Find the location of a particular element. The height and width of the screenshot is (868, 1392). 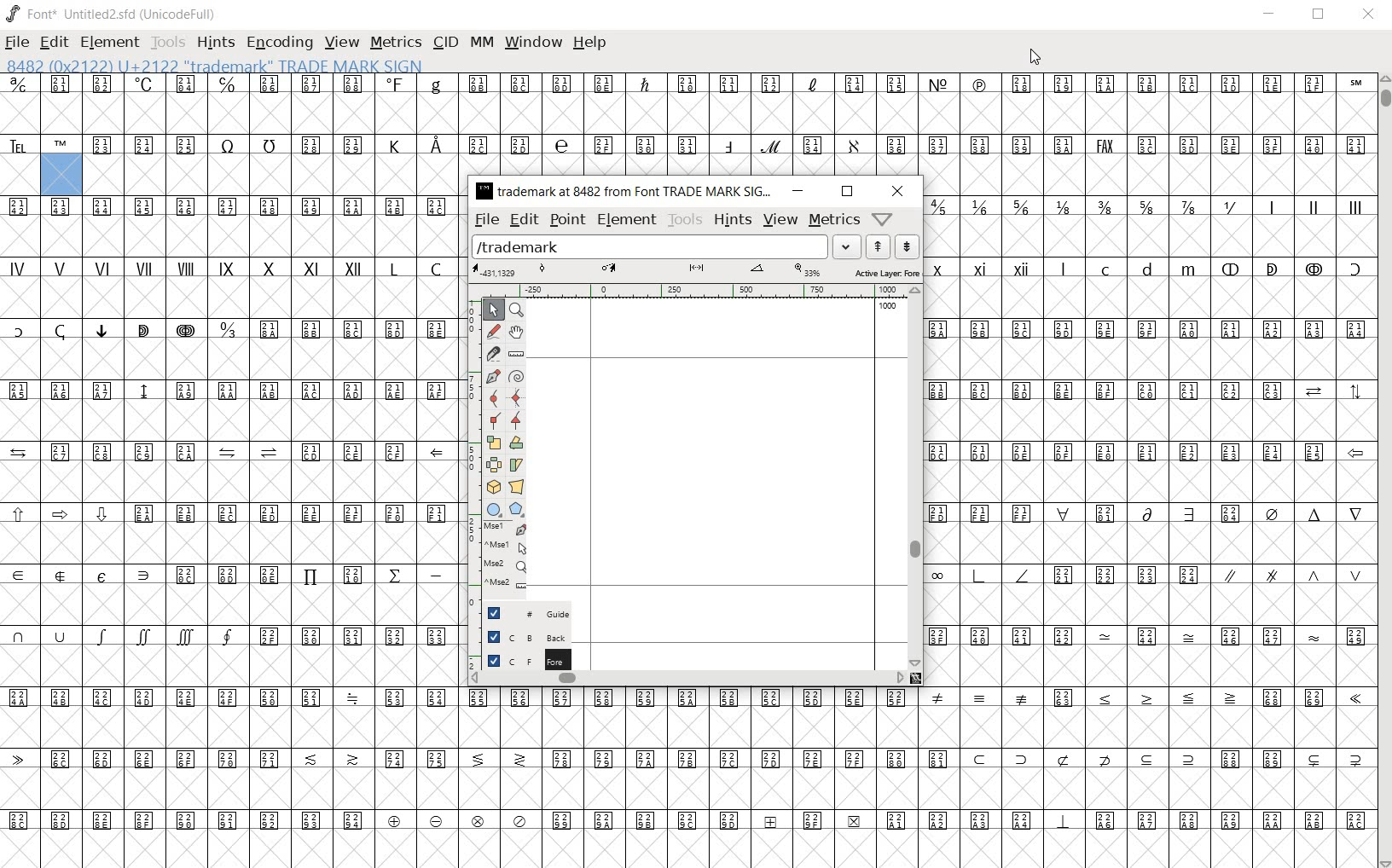

rectangle or ellipse is located at coordinates (491, 508).